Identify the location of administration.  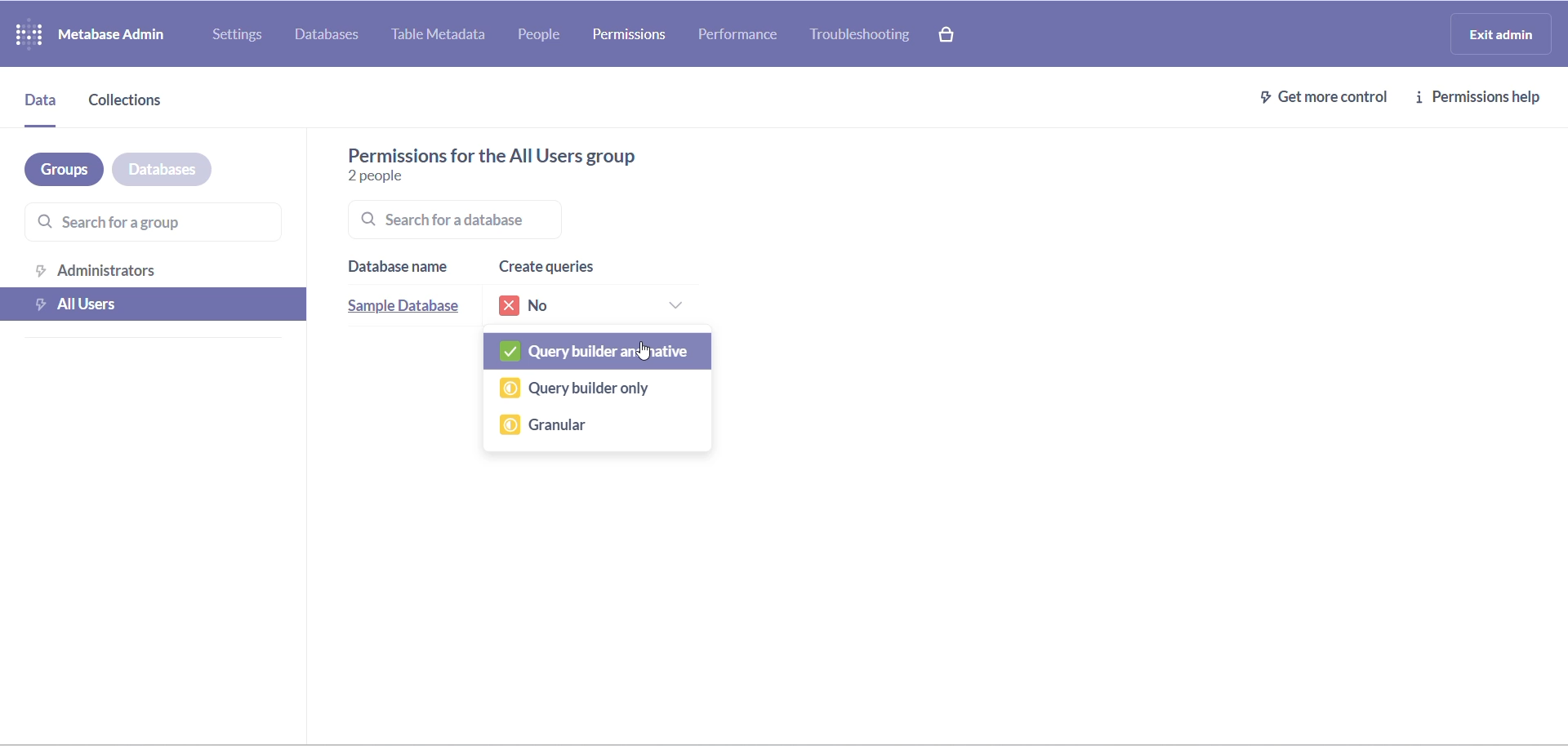
(161, 269).